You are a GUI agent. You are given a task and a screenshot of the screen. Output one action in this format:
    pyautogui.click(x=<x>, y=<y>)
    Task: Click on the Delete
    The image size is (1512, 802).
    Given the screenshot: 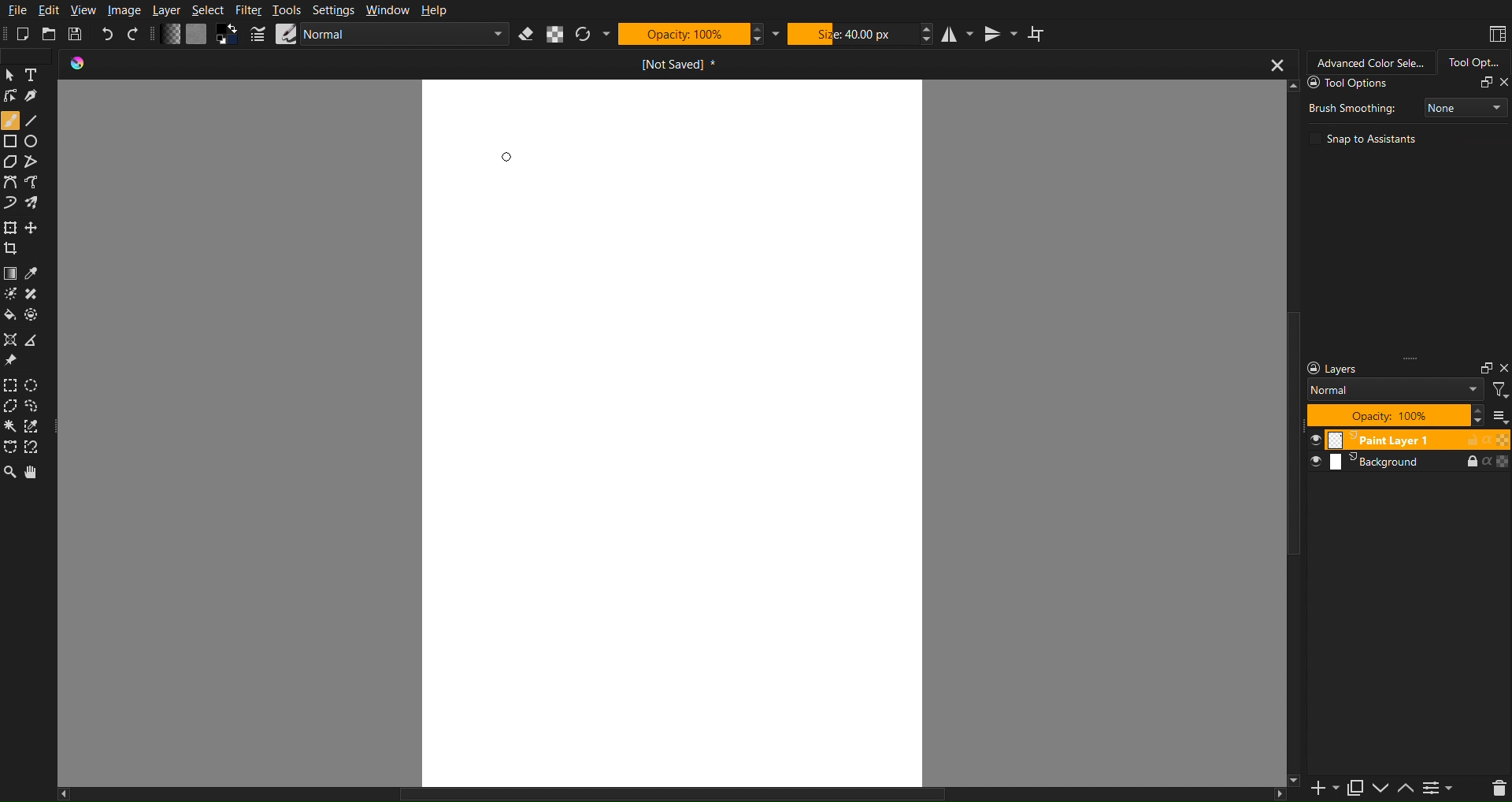 What is the action you would take?
    pyautogui.click(x=1494, y=789)
    